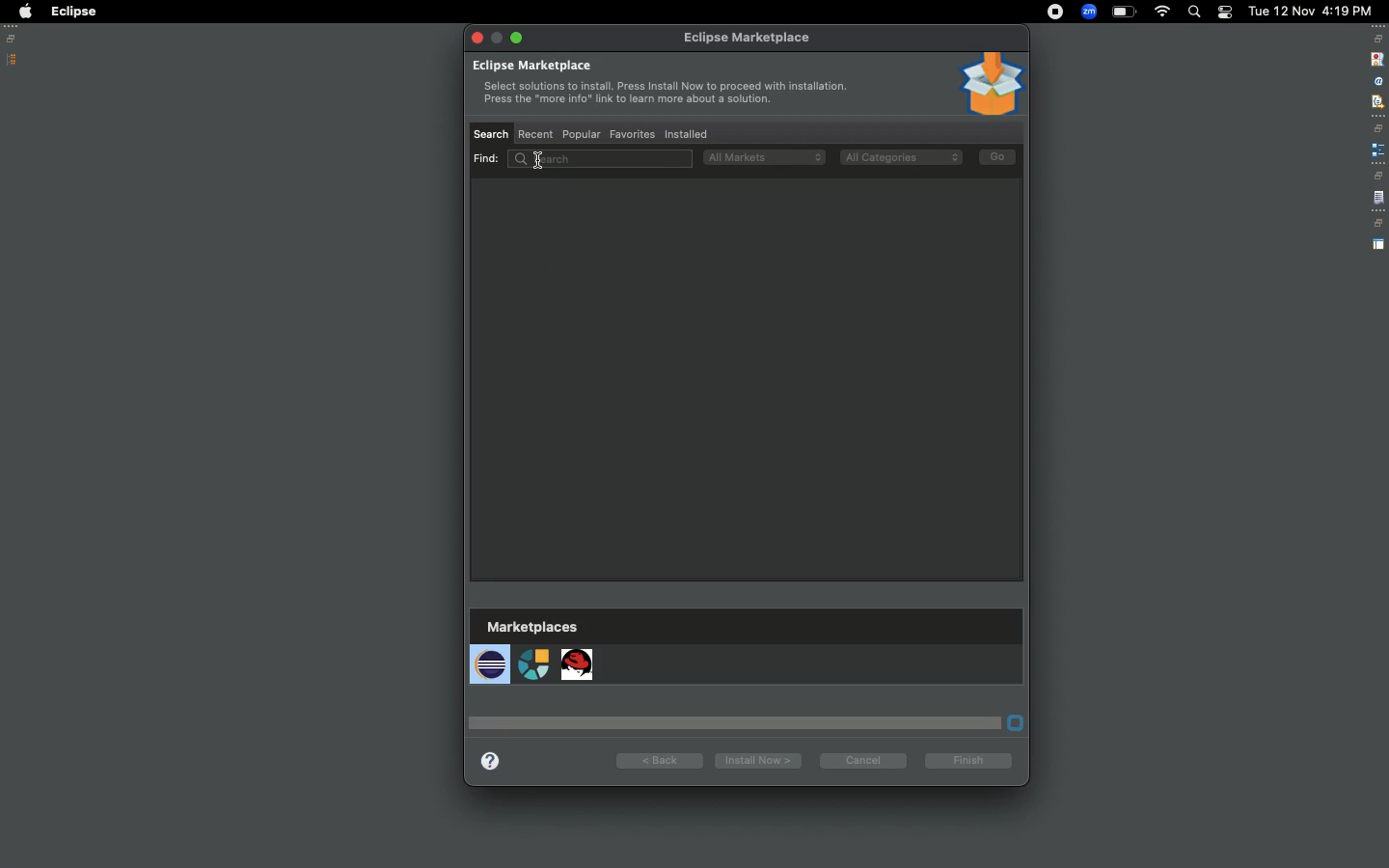 This screenshot has width=1389, height=868. I want to click on Cancel, so click(860, 760).